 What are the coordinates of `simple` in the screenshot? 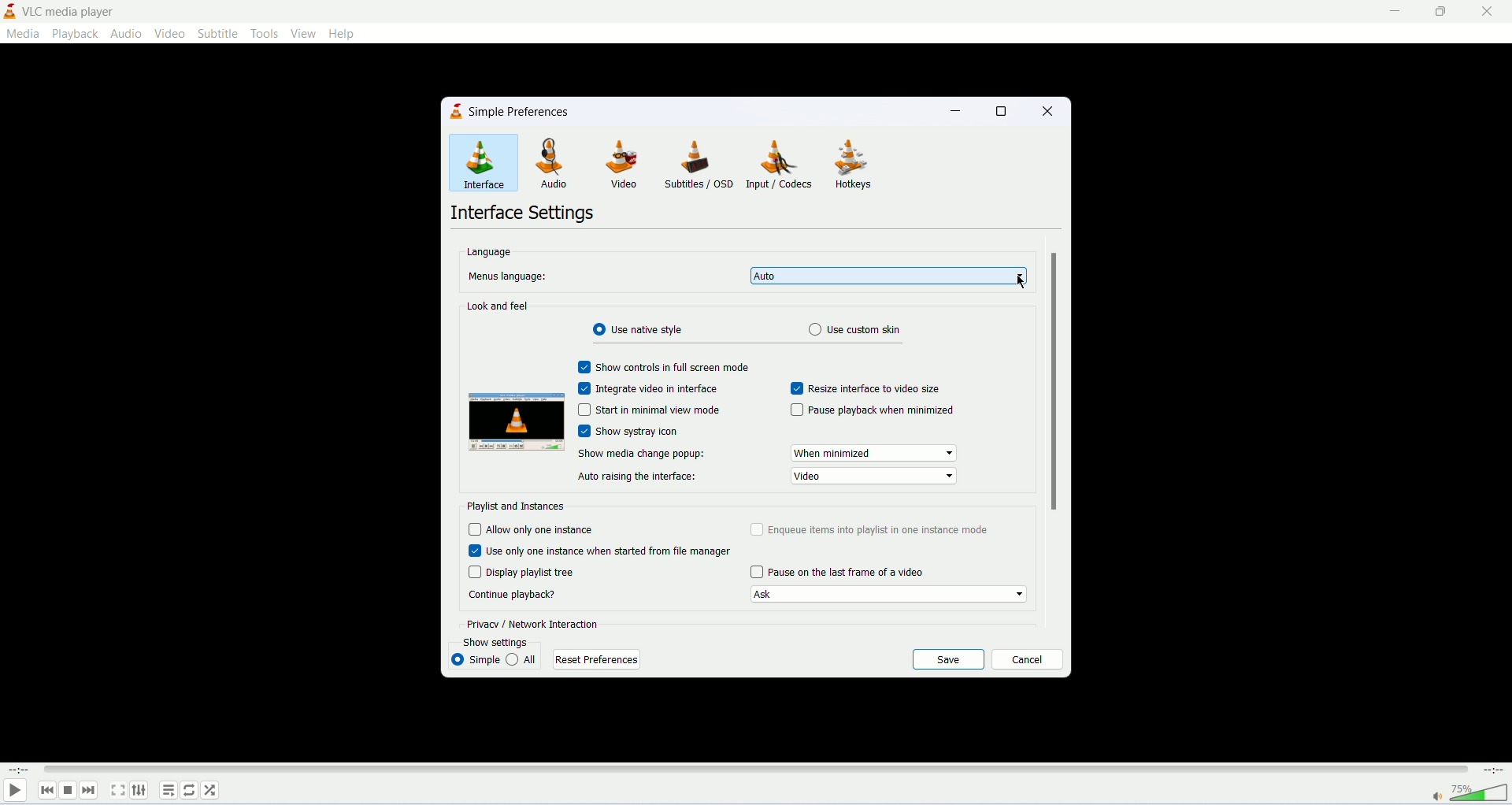 It's located at (475, 659).